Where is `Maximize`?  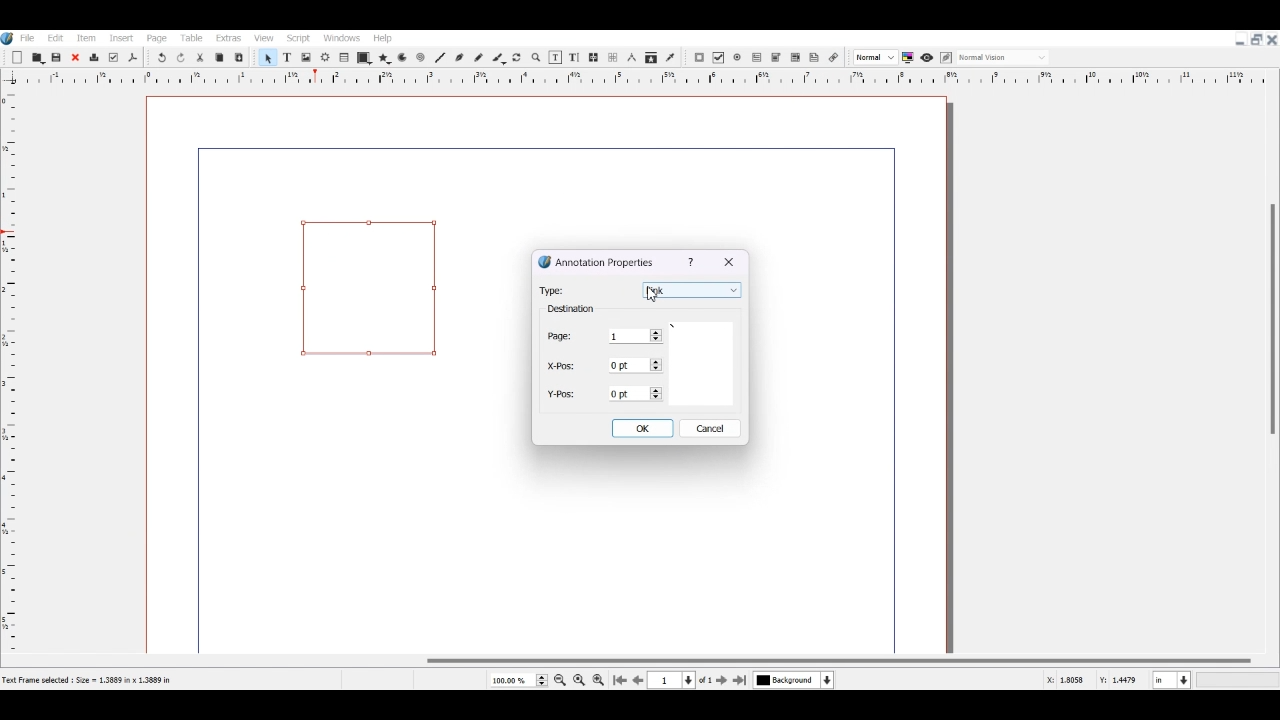 Maximize is located at coordinates (1256, 38).